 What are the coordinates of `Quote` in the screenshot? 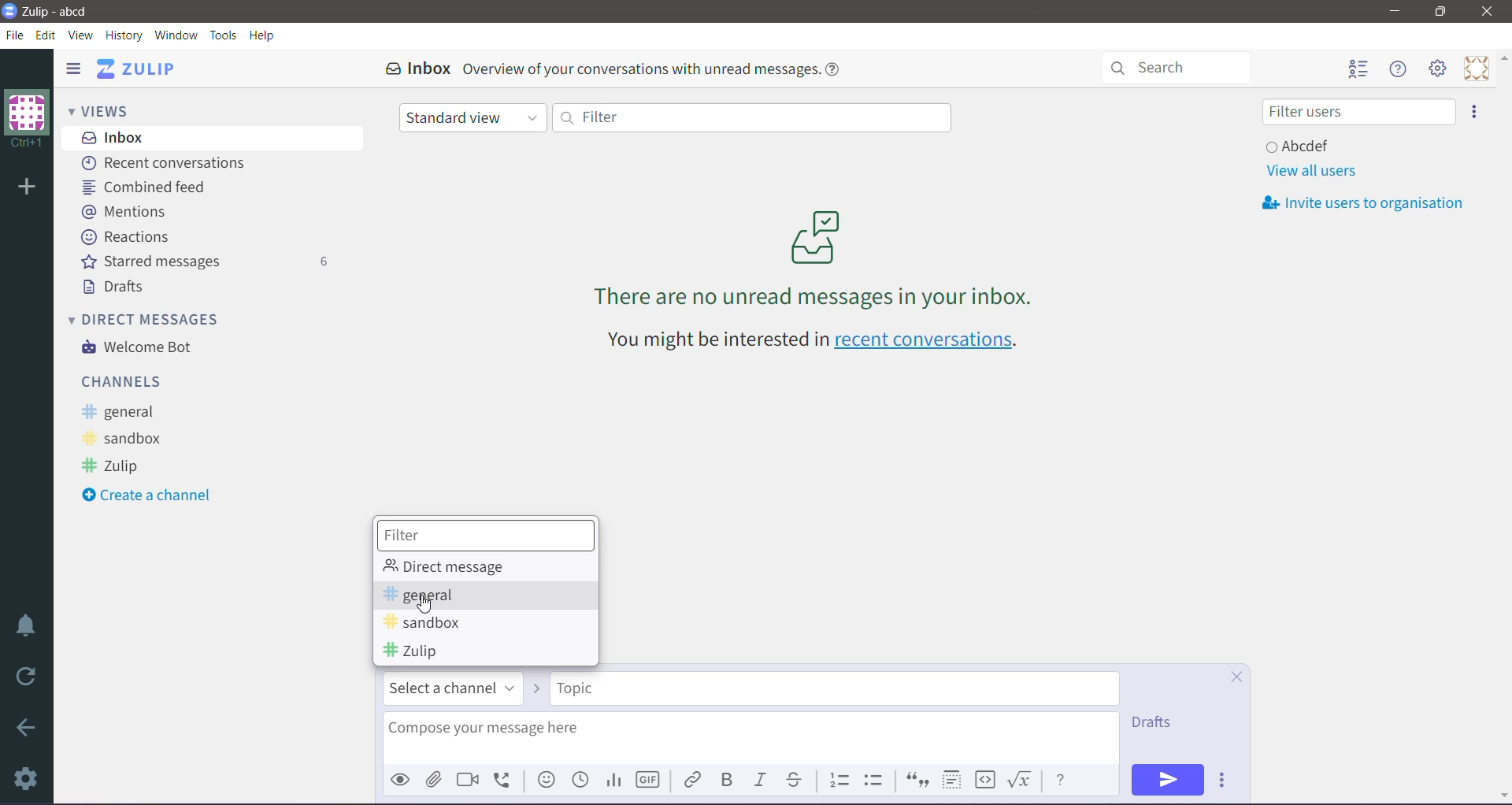 It's located at (916, 781).